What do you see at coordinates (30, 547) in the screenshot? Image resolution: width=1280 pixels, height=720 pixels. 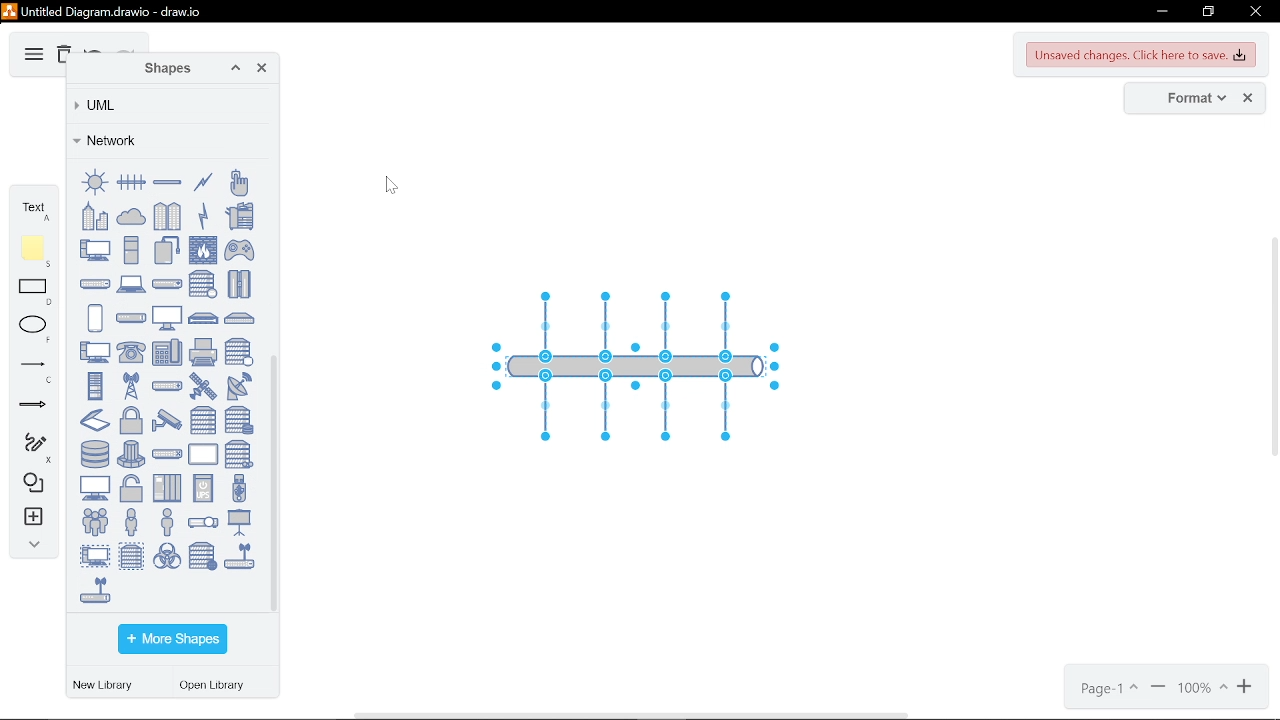 I see `collapse` at bounding box center [30, 547].